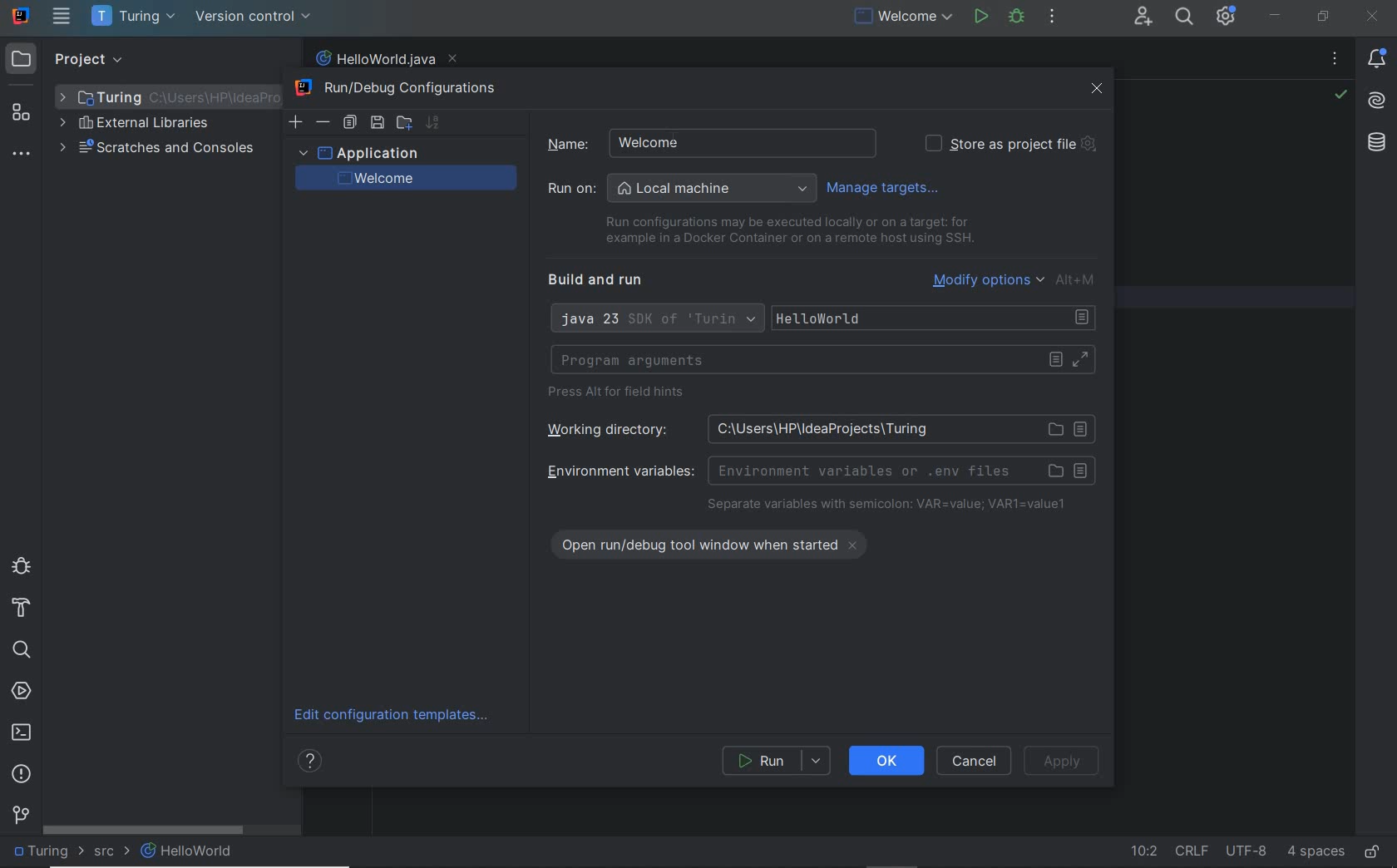  Describe the element at coordinates (603, 142) in the screenshot. I see `Name` at that location.